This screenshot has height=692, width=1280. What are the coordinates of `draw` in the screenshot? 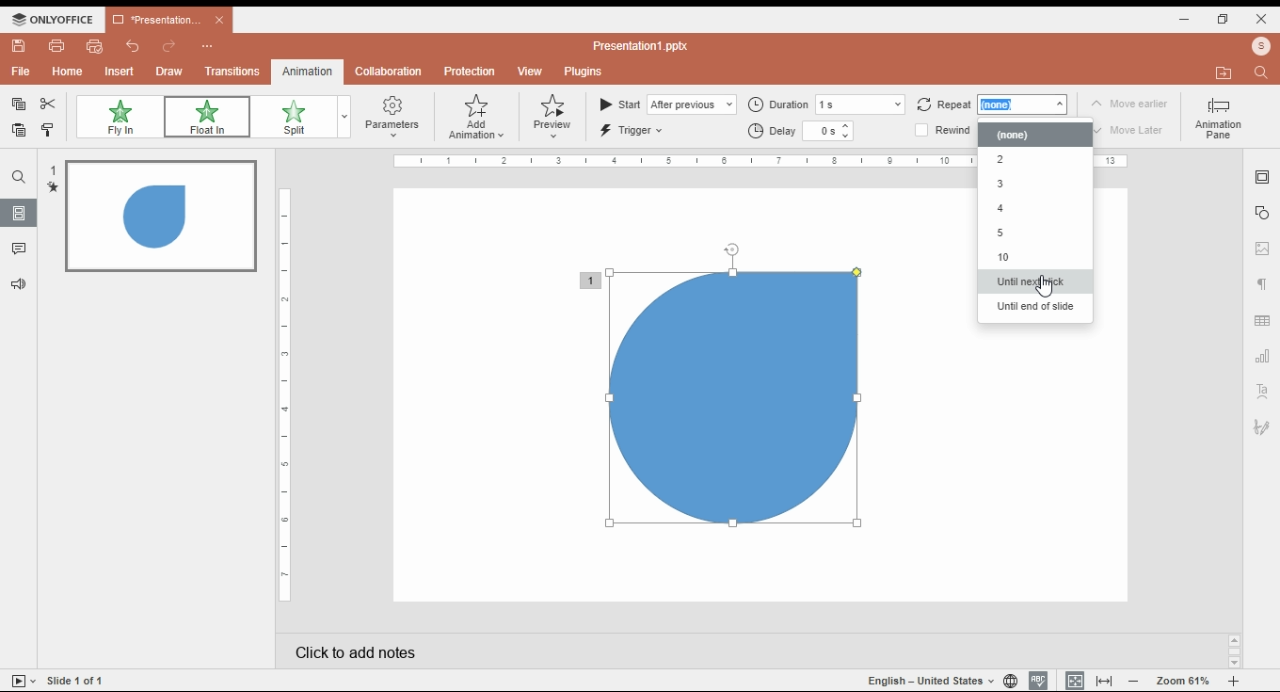 It's located at (169, 71).